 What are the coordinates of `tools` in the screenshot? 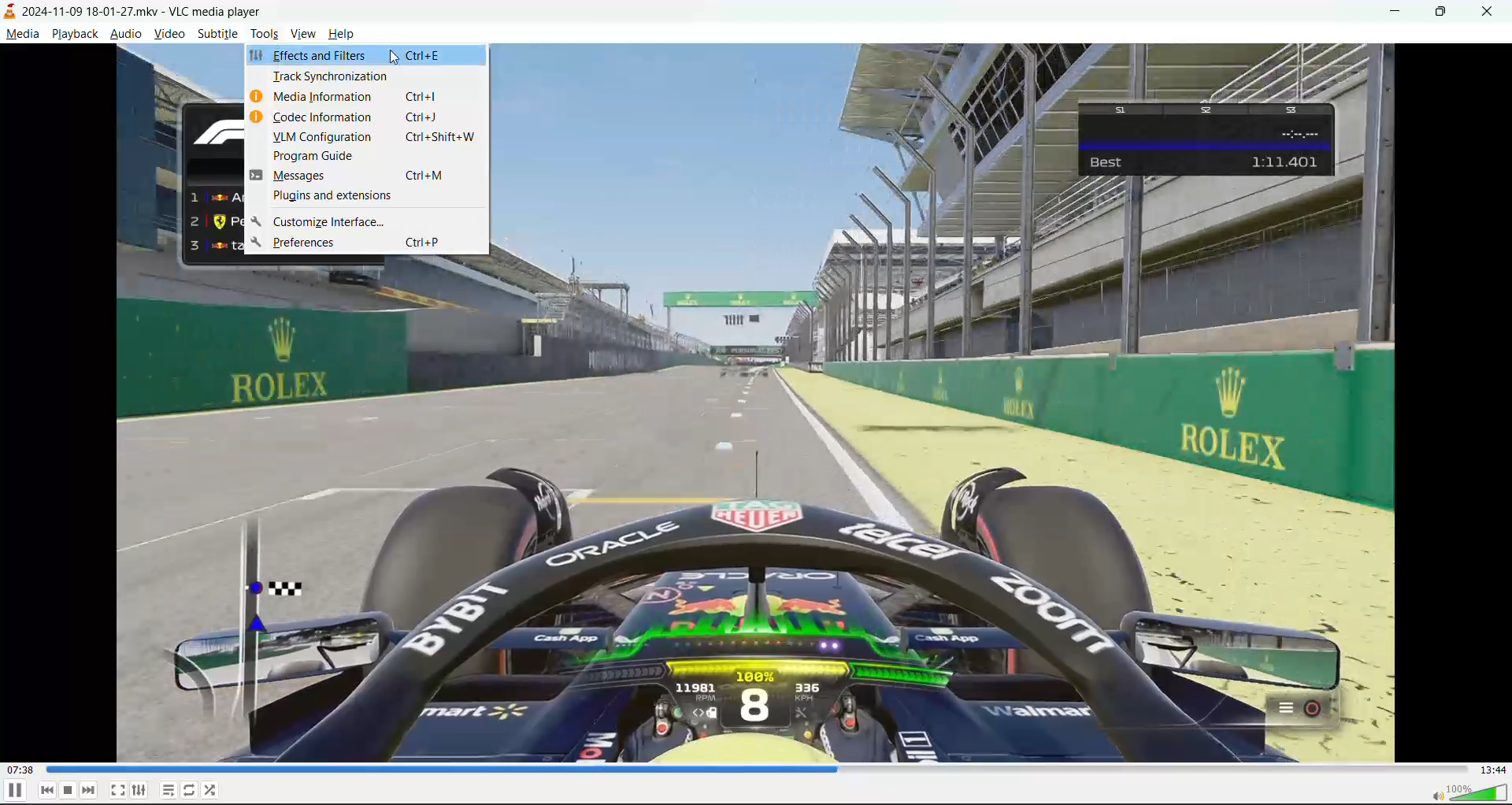 It's located at (264, 33).